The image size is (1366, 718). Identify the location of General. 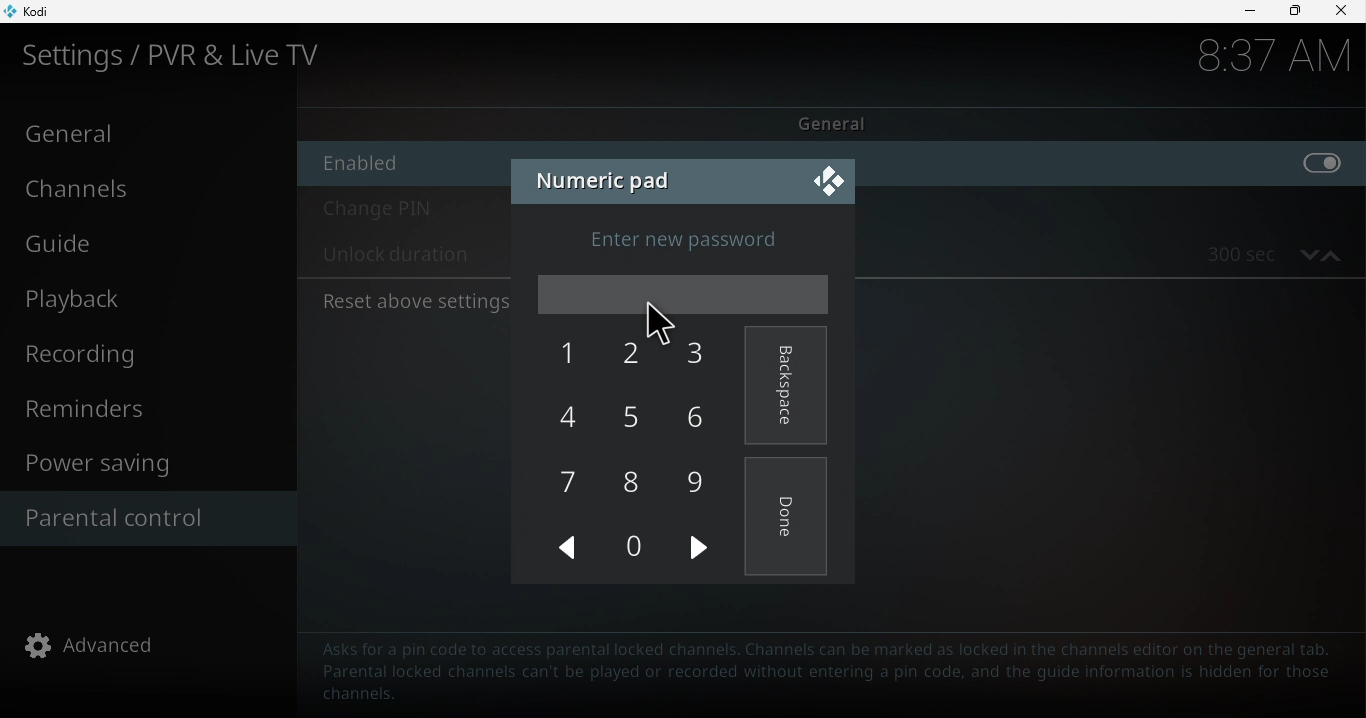
(145, 134).